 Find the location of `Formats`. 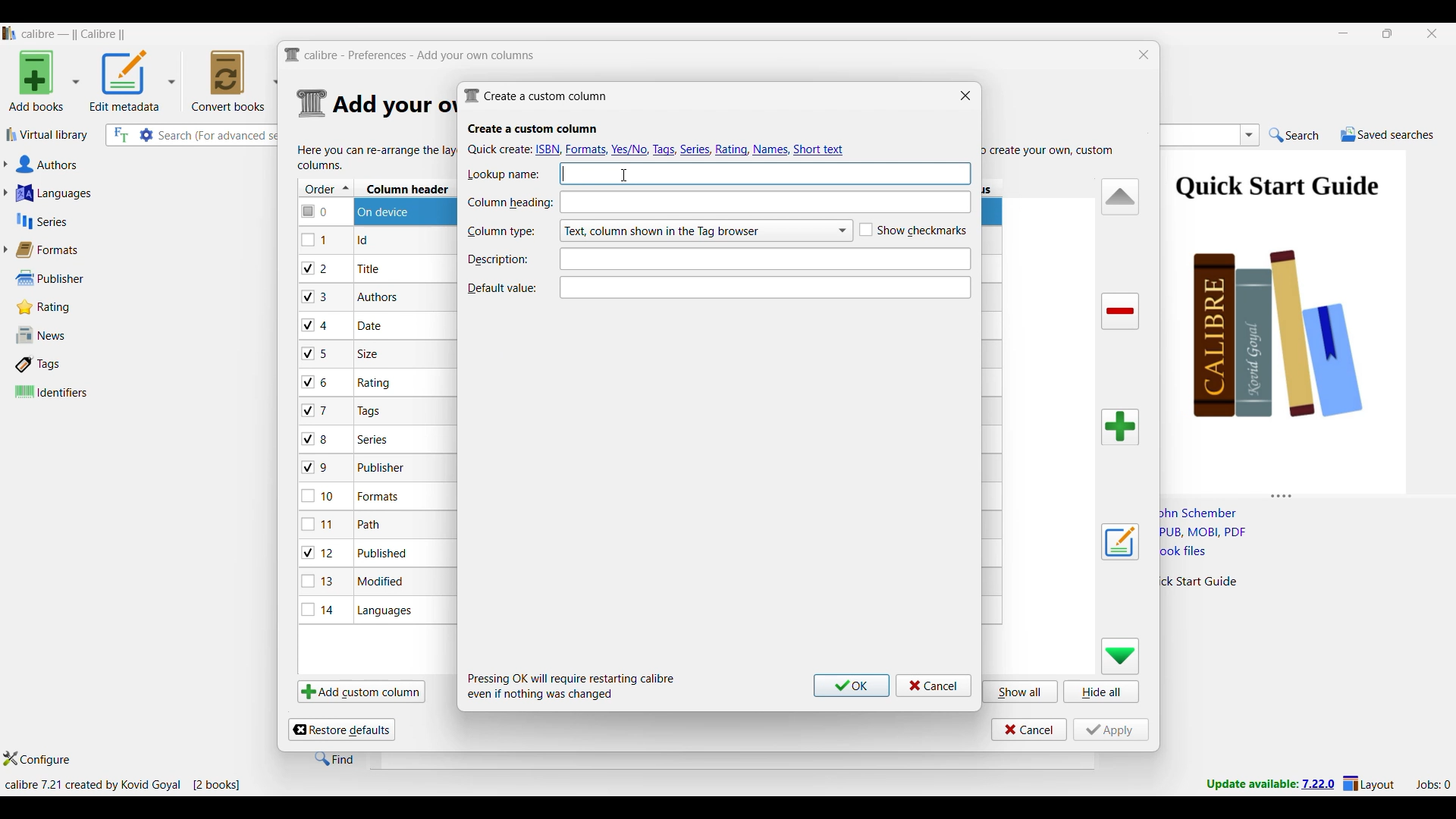

Formats is located at coordinates (54, 249).